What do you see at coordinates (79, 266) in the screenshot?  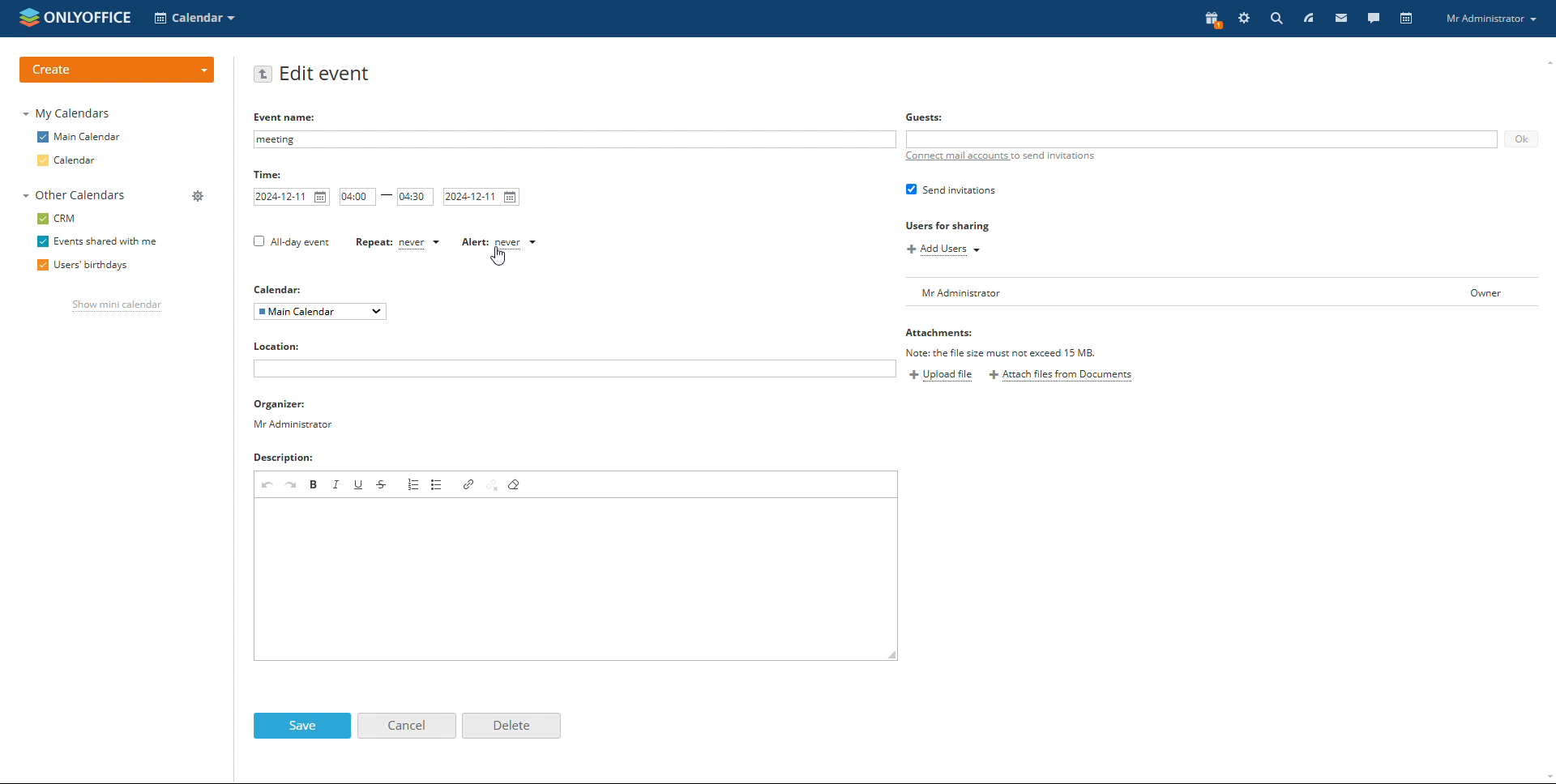 I see `users' birthdays` at bounding box center [79, 266].